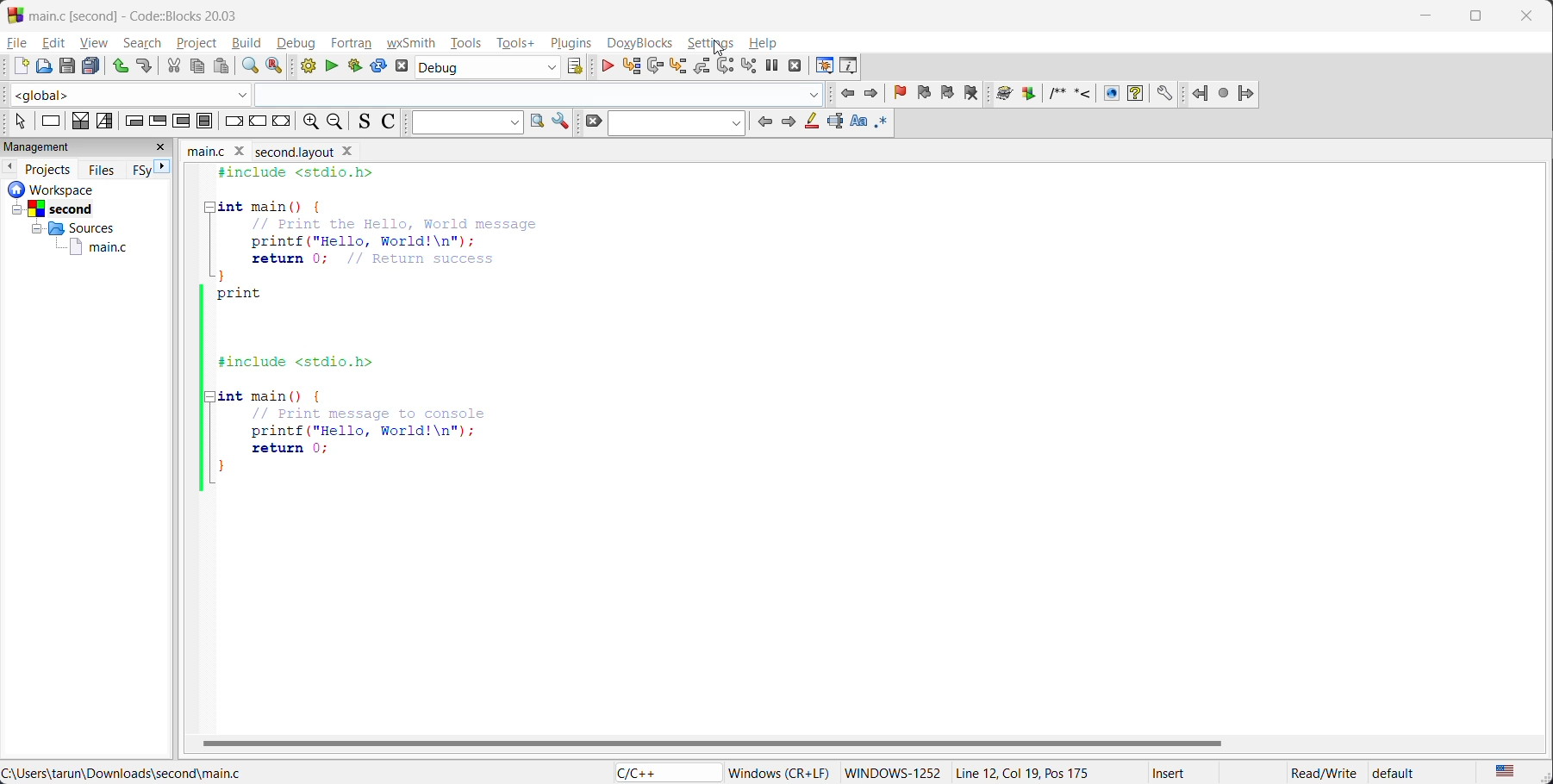  Describe the element at coordinates (1424, 17) in the screenshot. I see `minimize` at that location.